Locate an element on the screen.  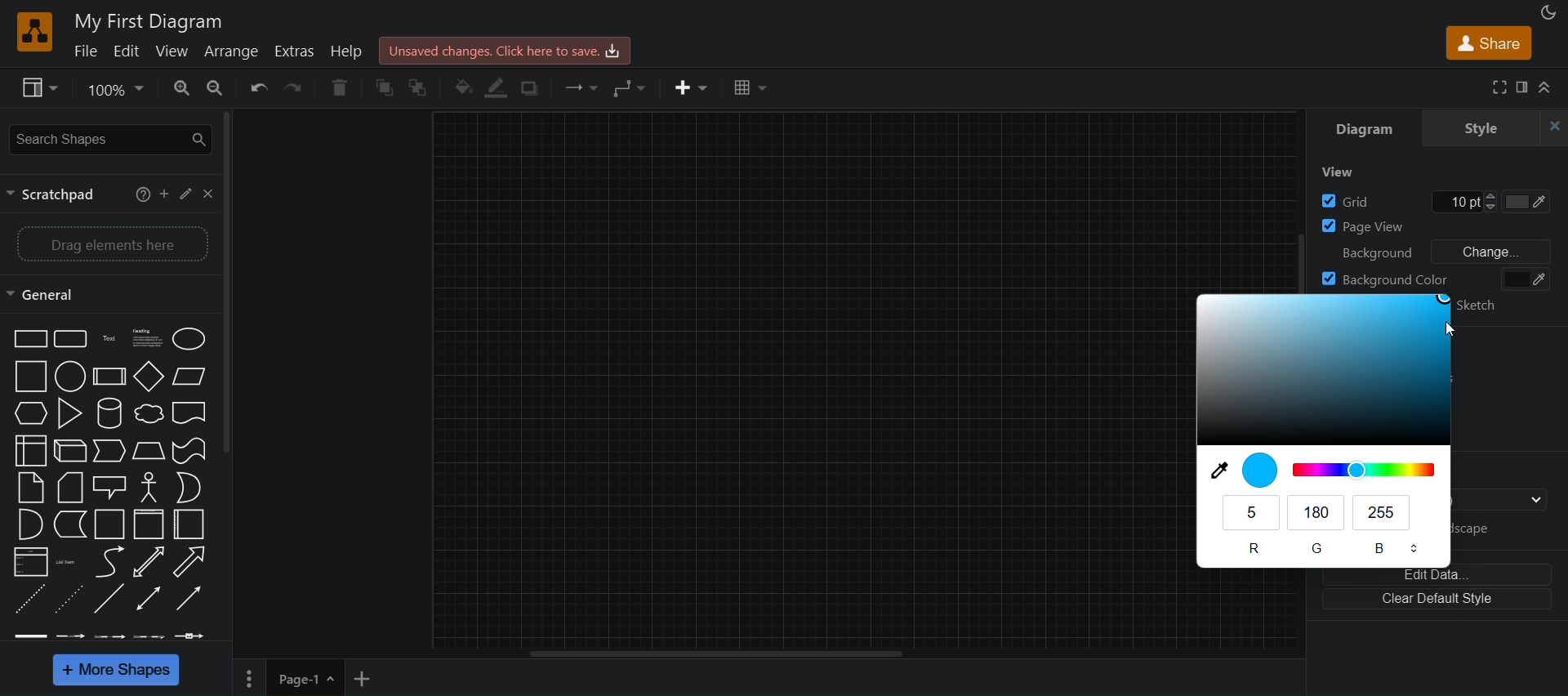
 is located at coordinates (347, 53).